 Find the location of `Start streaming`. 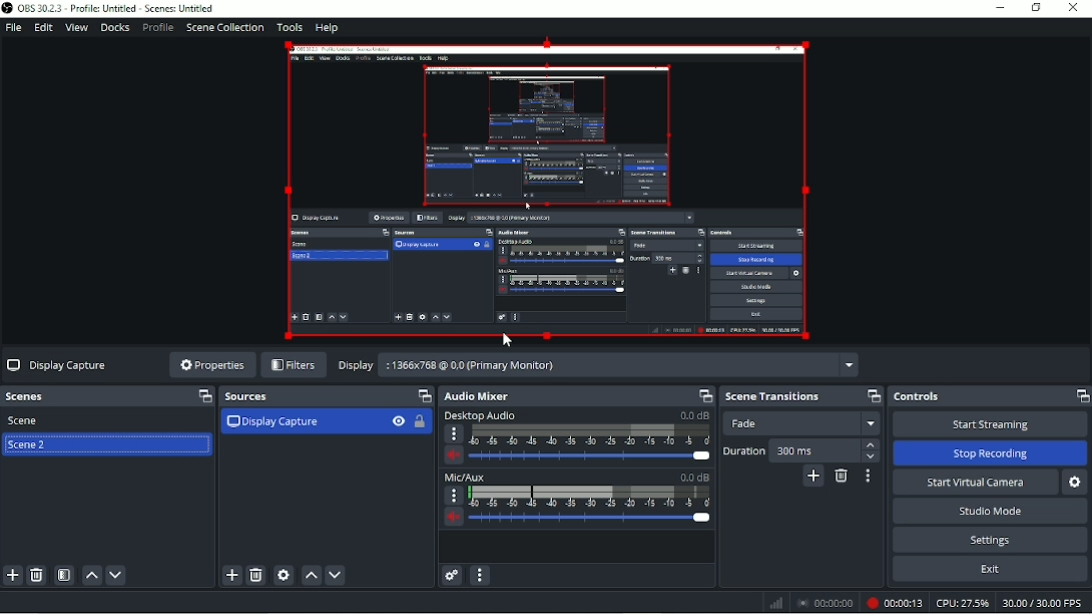

Start streaming is located at coordinates (990, 424).